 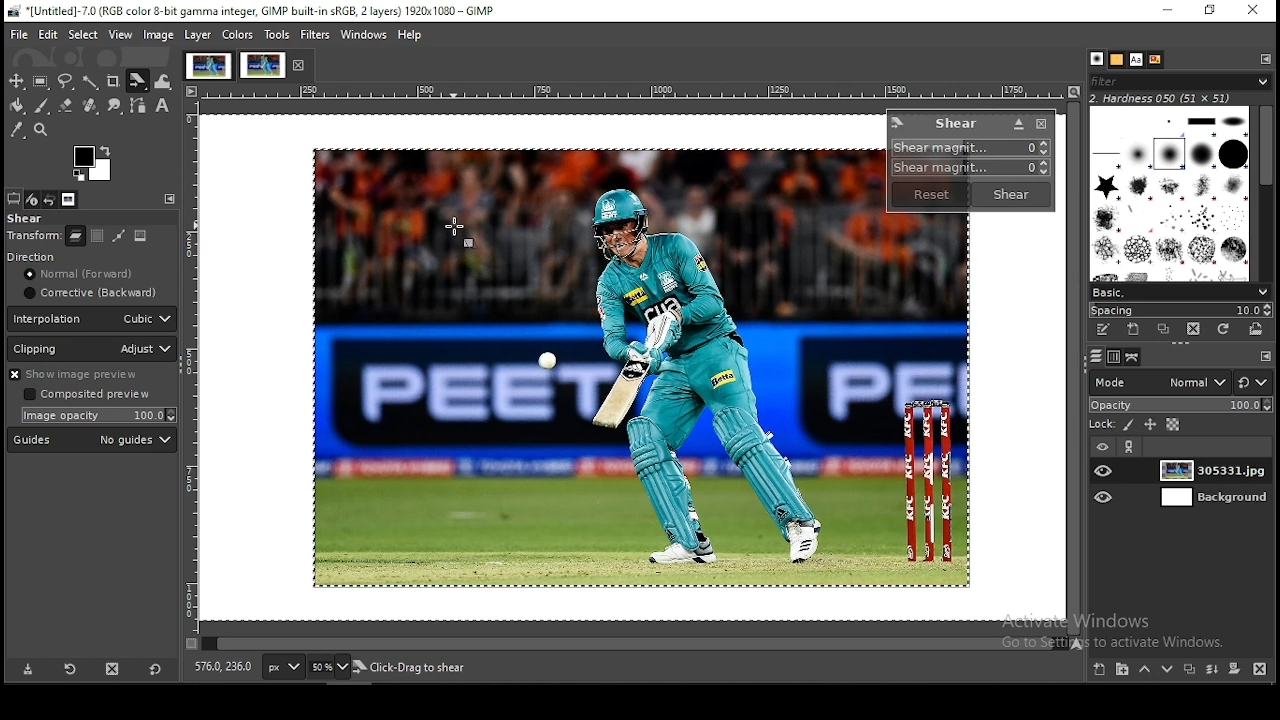 What do you see at coordinates (92, 349) in the screenshot?
I see `clipping` at bounding box center [92, 349].